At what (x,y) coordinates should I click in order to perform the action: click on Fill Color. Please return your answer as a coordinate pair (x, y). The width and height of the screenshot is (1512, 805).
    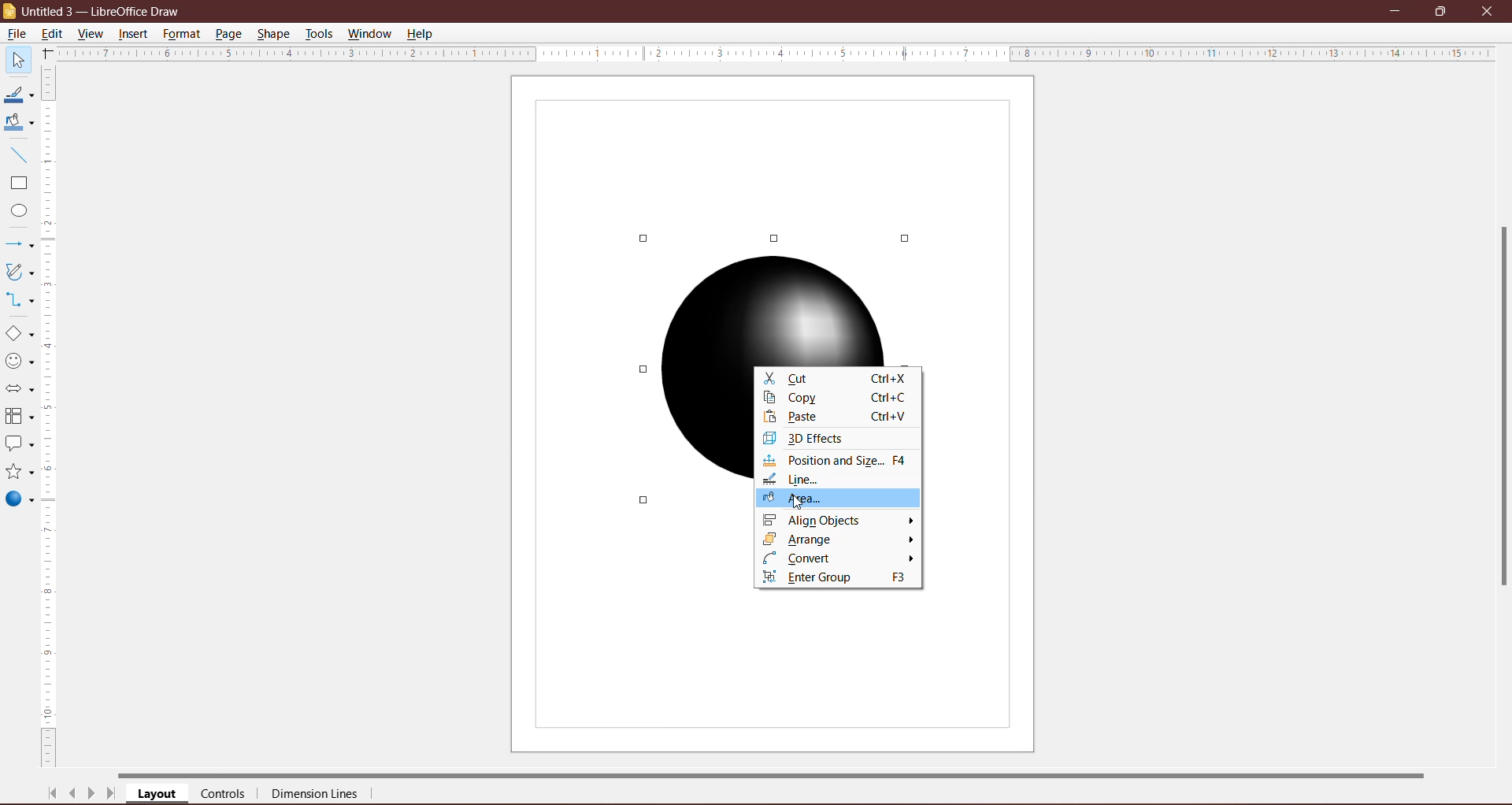
    Looking at the image, I should click on (16, 123).